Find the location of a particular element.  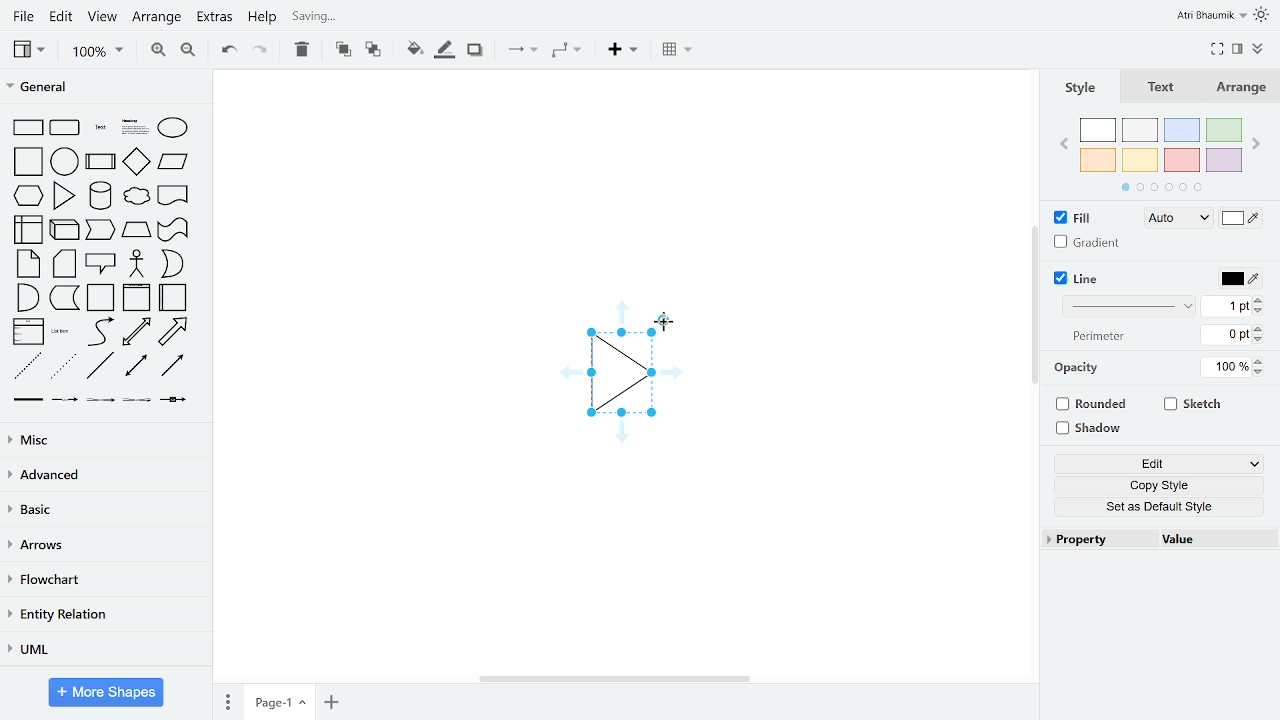

curve is located at coordinates (98, 332).